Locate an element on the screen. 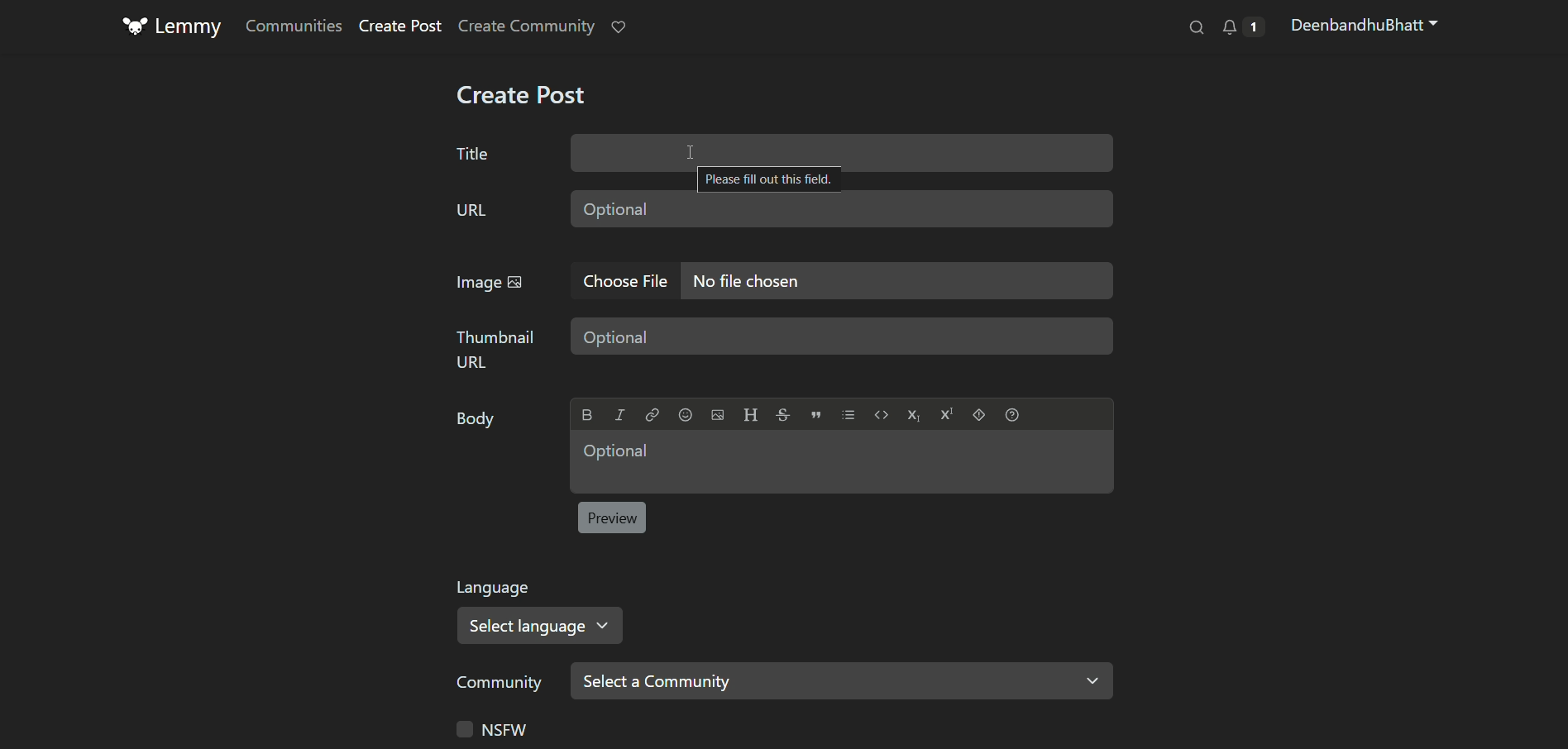  URL is located at coordinates (470, 210).